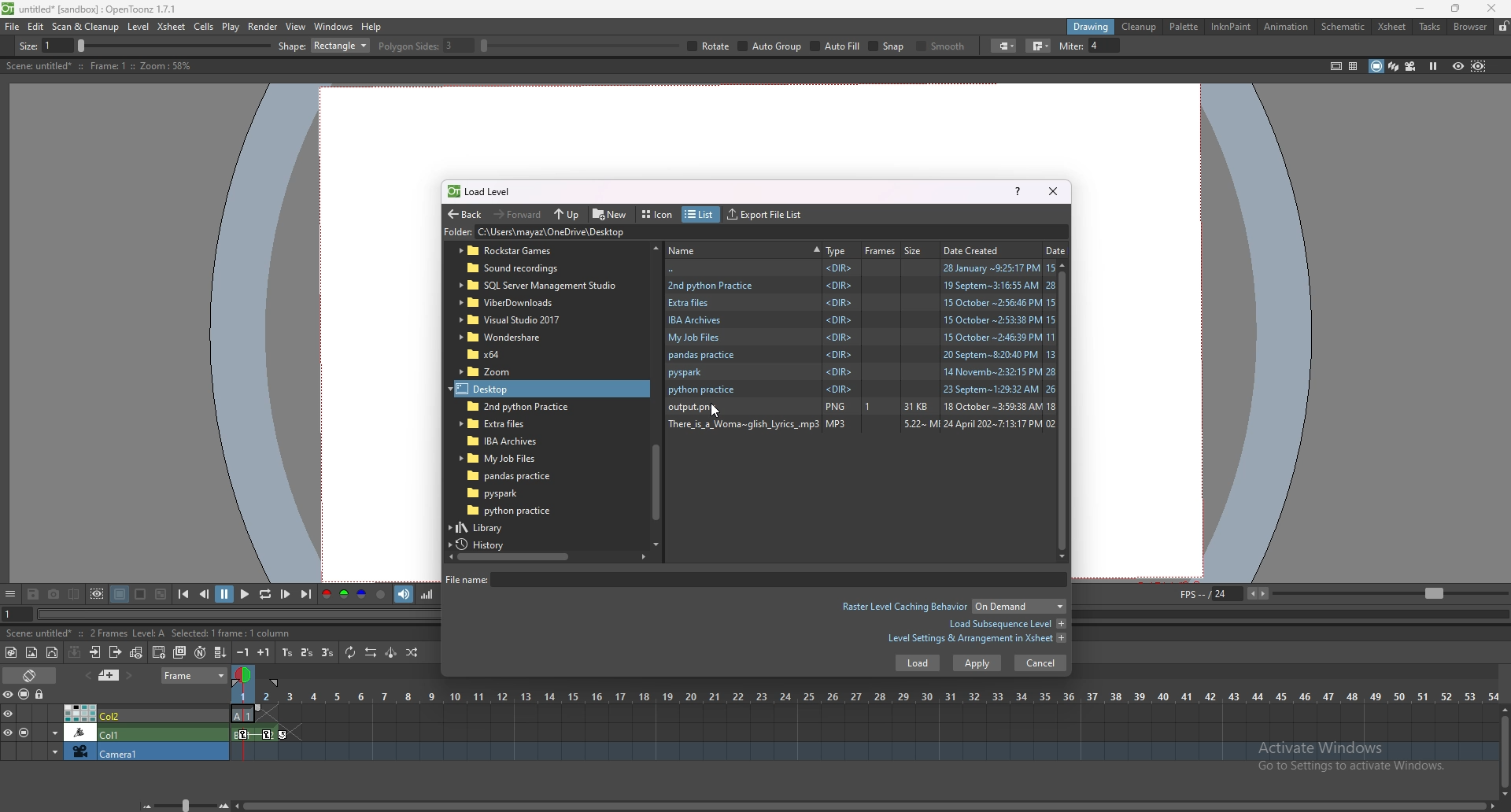 The image size is (1511, 812). What do you see at coordinates (33, 596) in the screenshot?
I see `save` at bounding box center [33, 596].